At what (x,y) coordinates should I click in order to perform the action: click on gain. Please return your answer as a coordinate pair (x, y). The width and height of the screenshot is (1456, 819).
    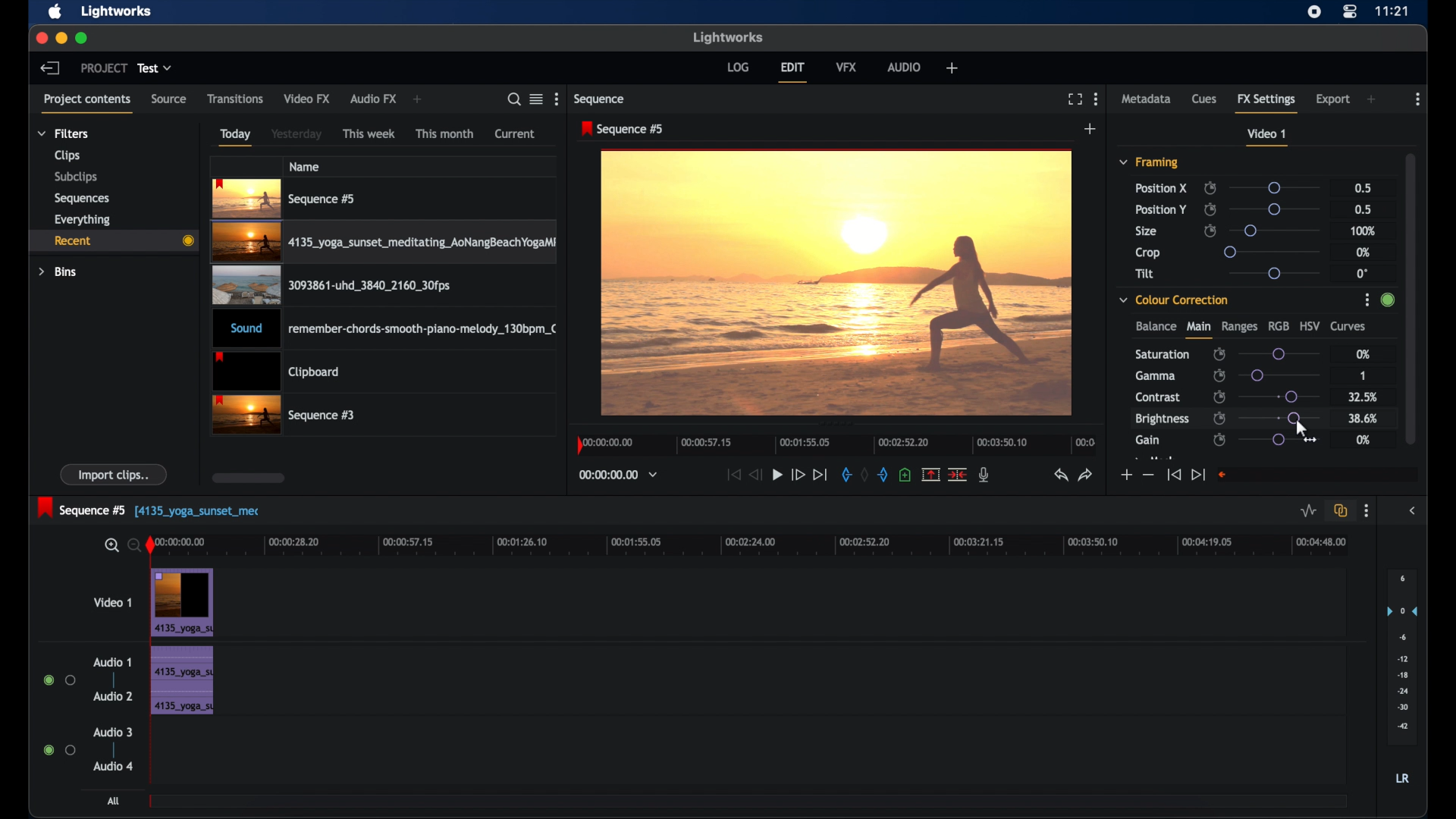
    Looking at the image, I should click on (1147, 441).